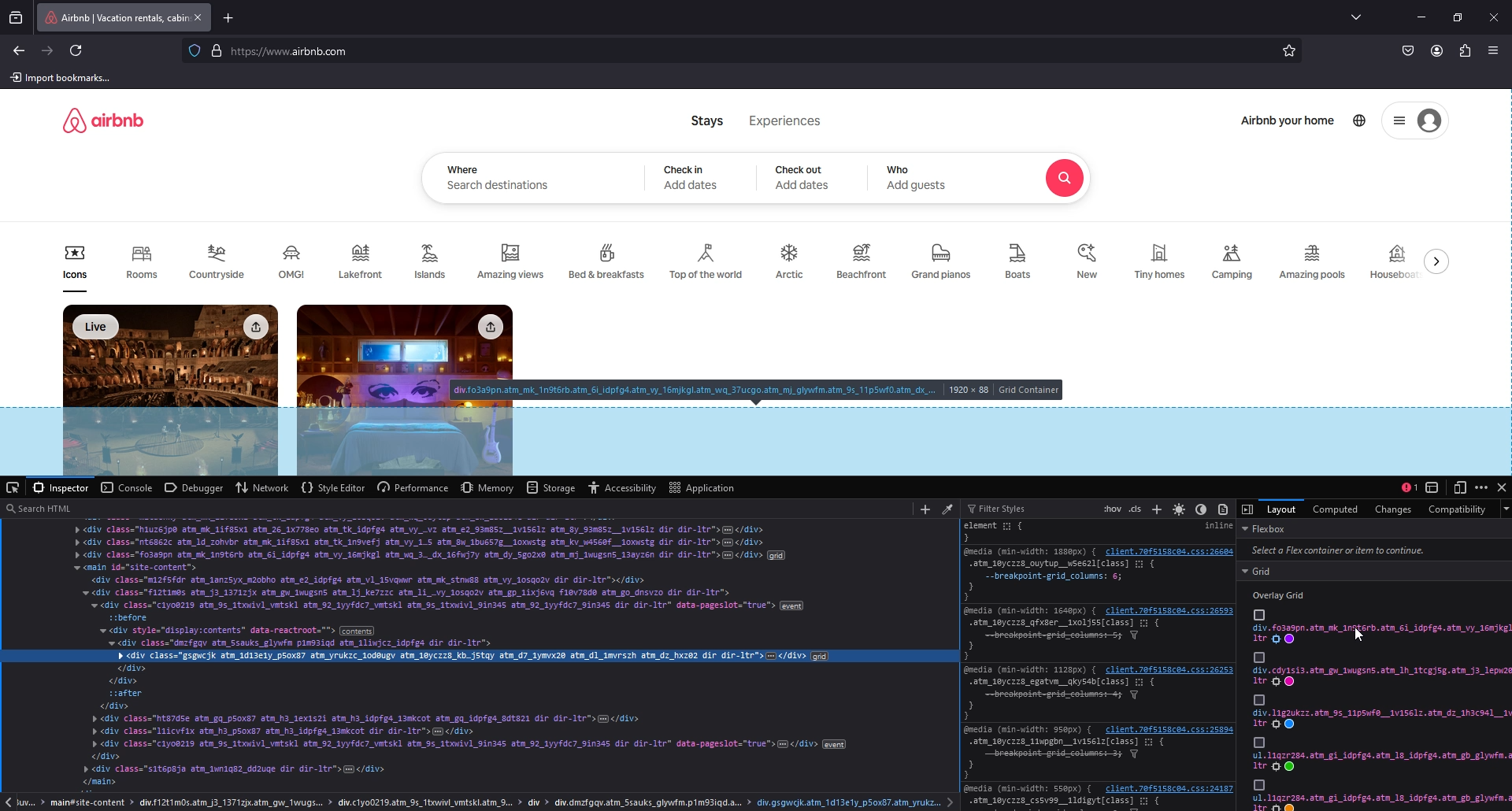 The image size is (1512, 811). What do you see at coordinates (1258, 657) in the screenshot?
I see `Checkbox ` at bounding box center [1258, 657].